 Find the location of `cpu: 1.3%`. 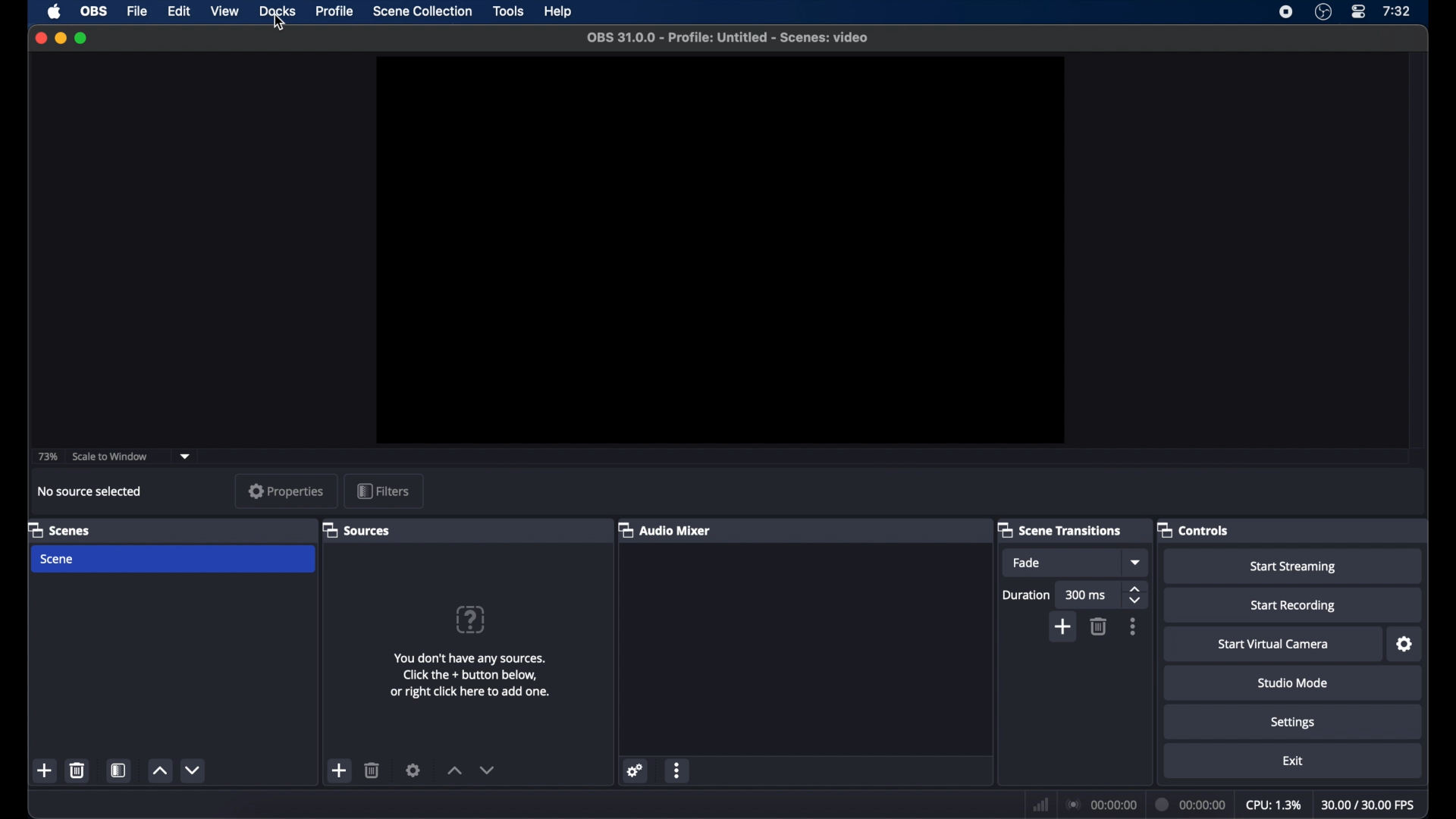

cpu: 1.3% is located at coordinates (1273, 803).